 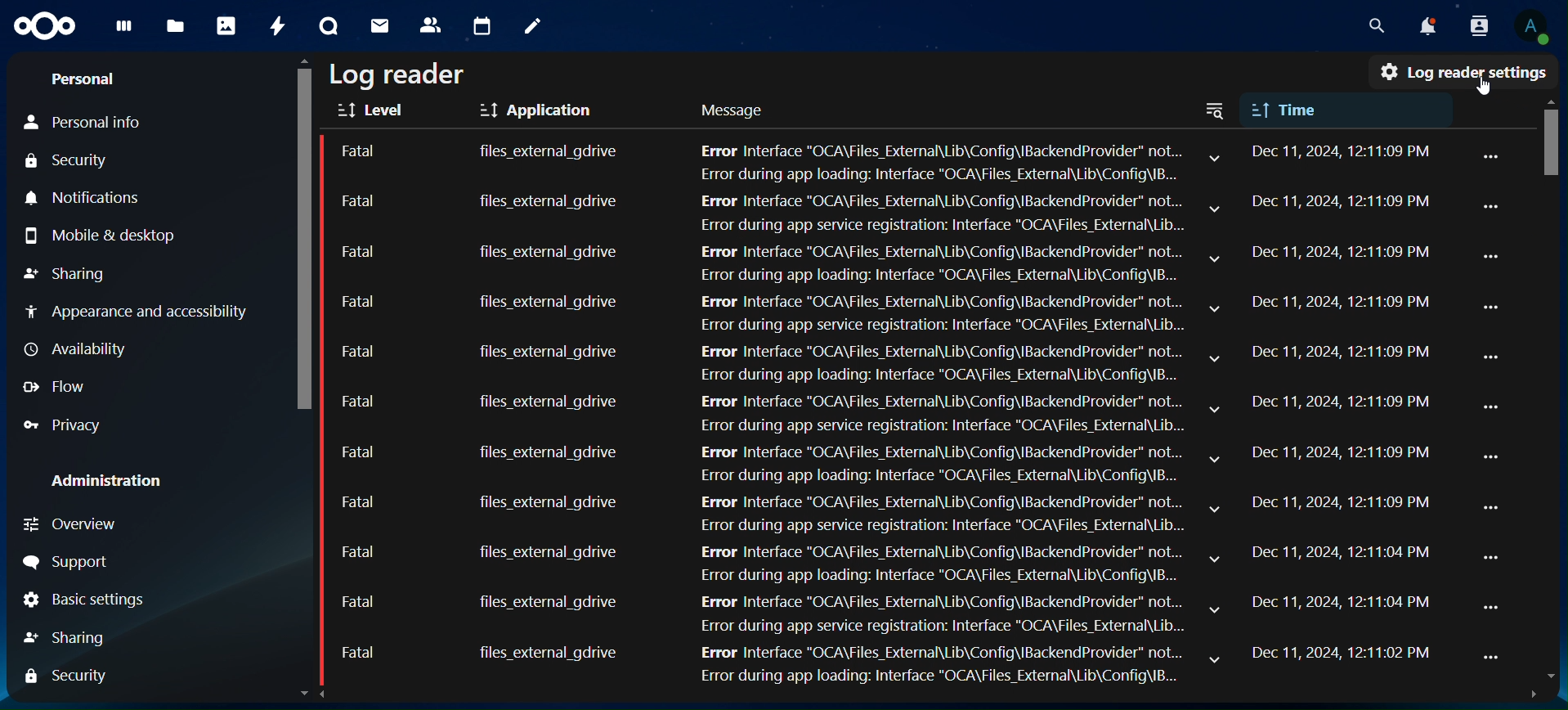 I want to click on ..., so click(x=1491, y=205).